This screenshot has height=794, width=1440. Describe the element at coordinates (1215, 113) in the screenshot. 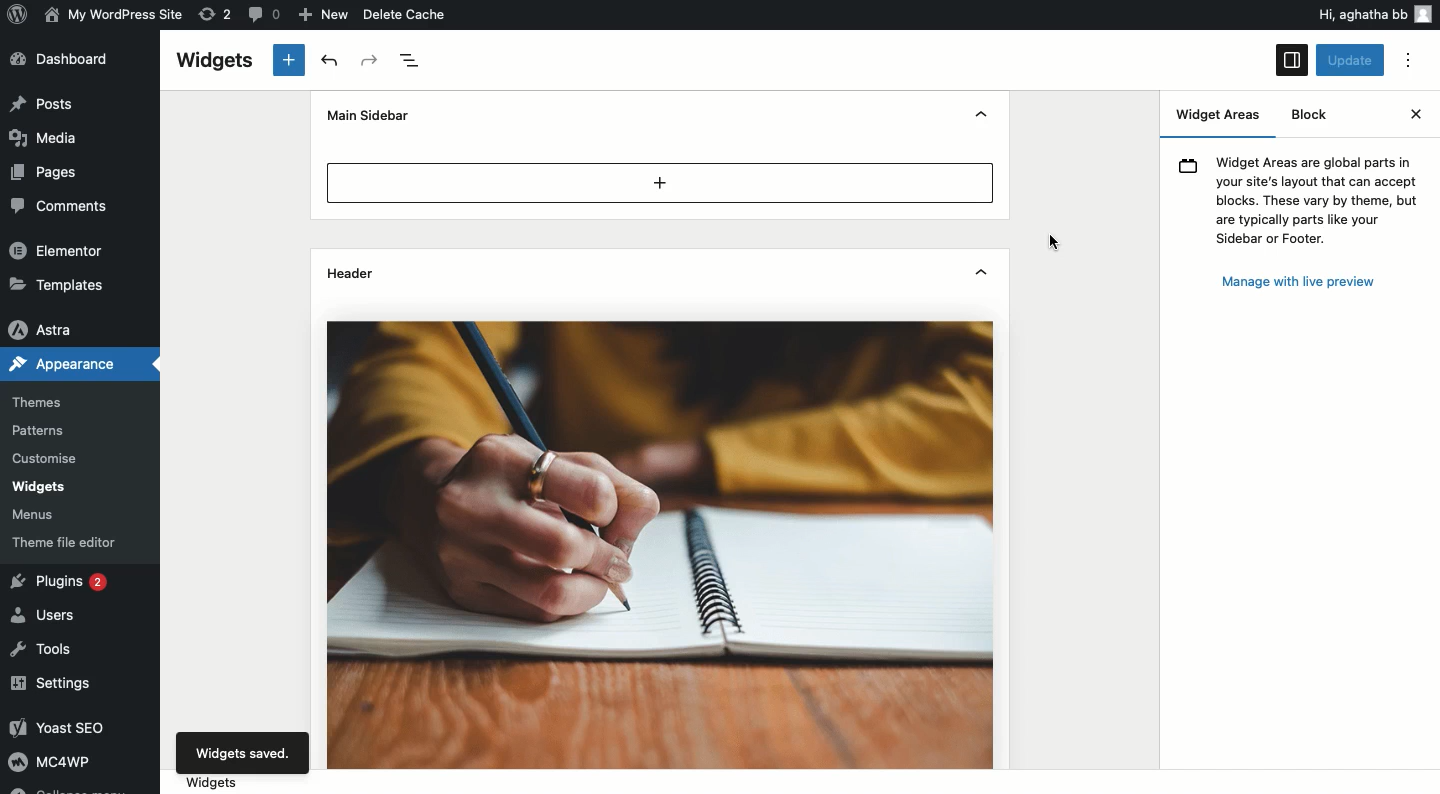

I see `Widget Areas` at that location.